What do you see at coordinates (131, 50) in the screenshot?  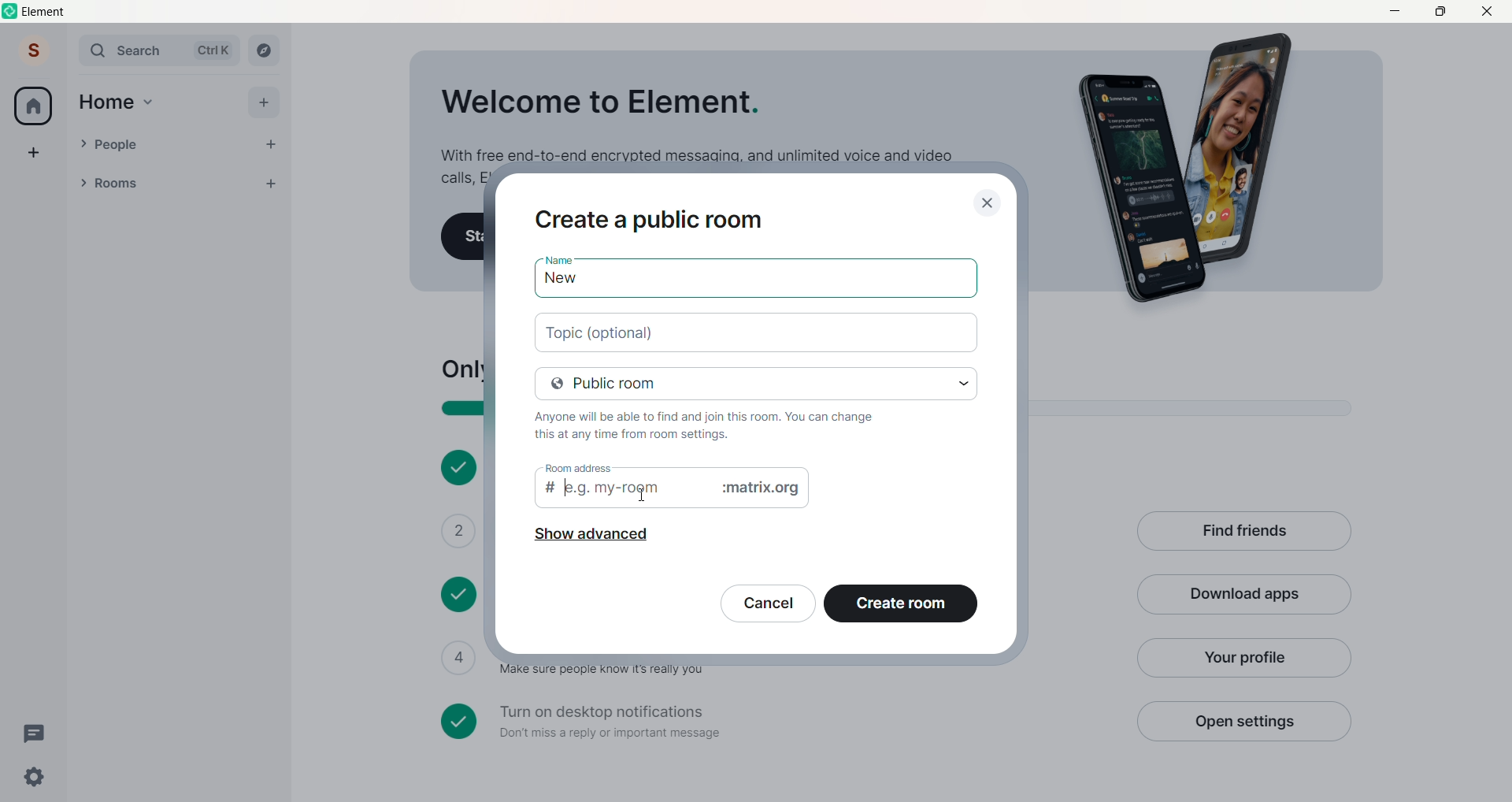 I see `Search Bar` at bounding box center [131, 50].